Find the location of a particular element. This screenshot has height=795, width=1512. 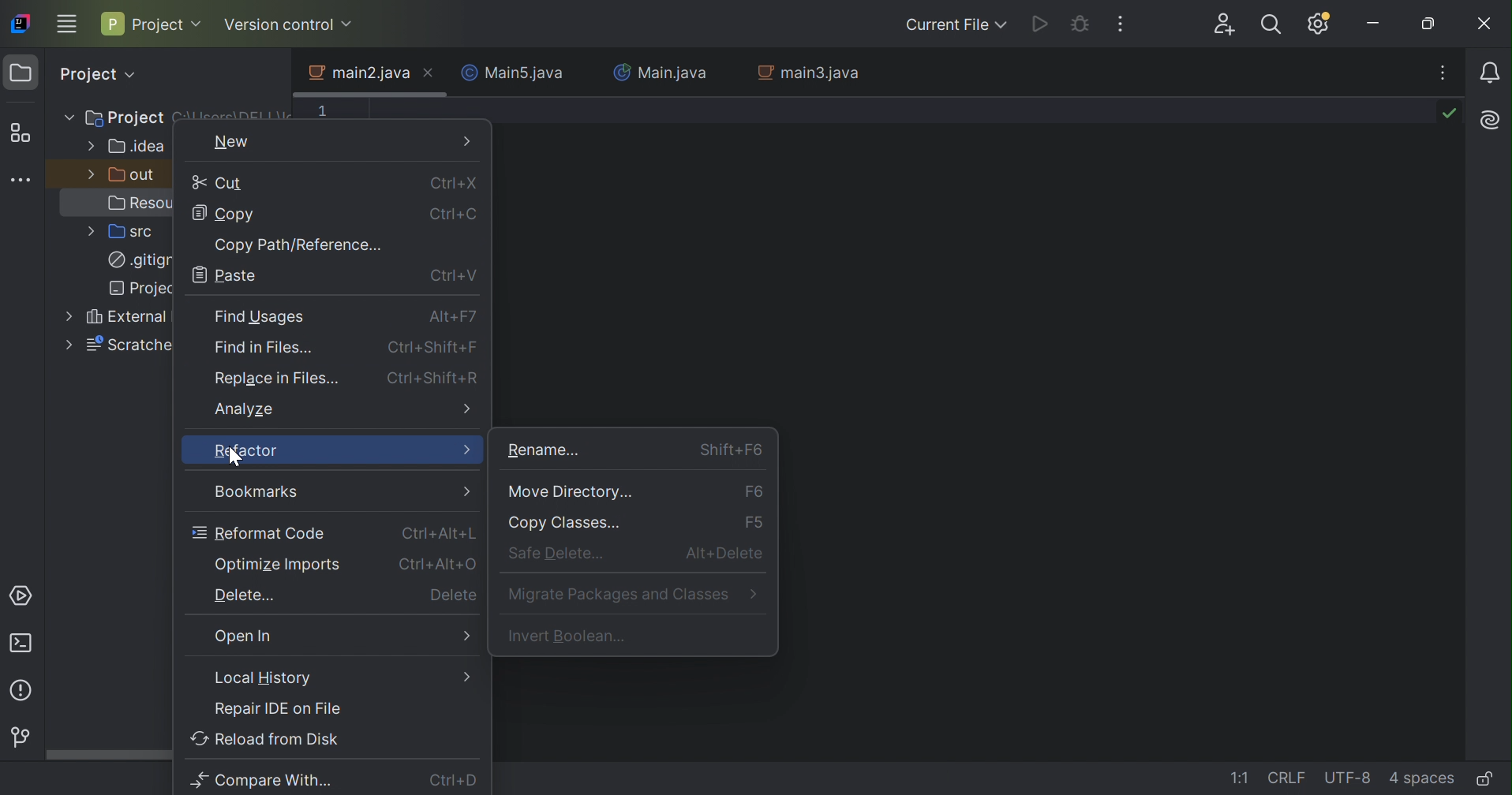

Ctrl+Alt+E is located at coordinates (435, 564).